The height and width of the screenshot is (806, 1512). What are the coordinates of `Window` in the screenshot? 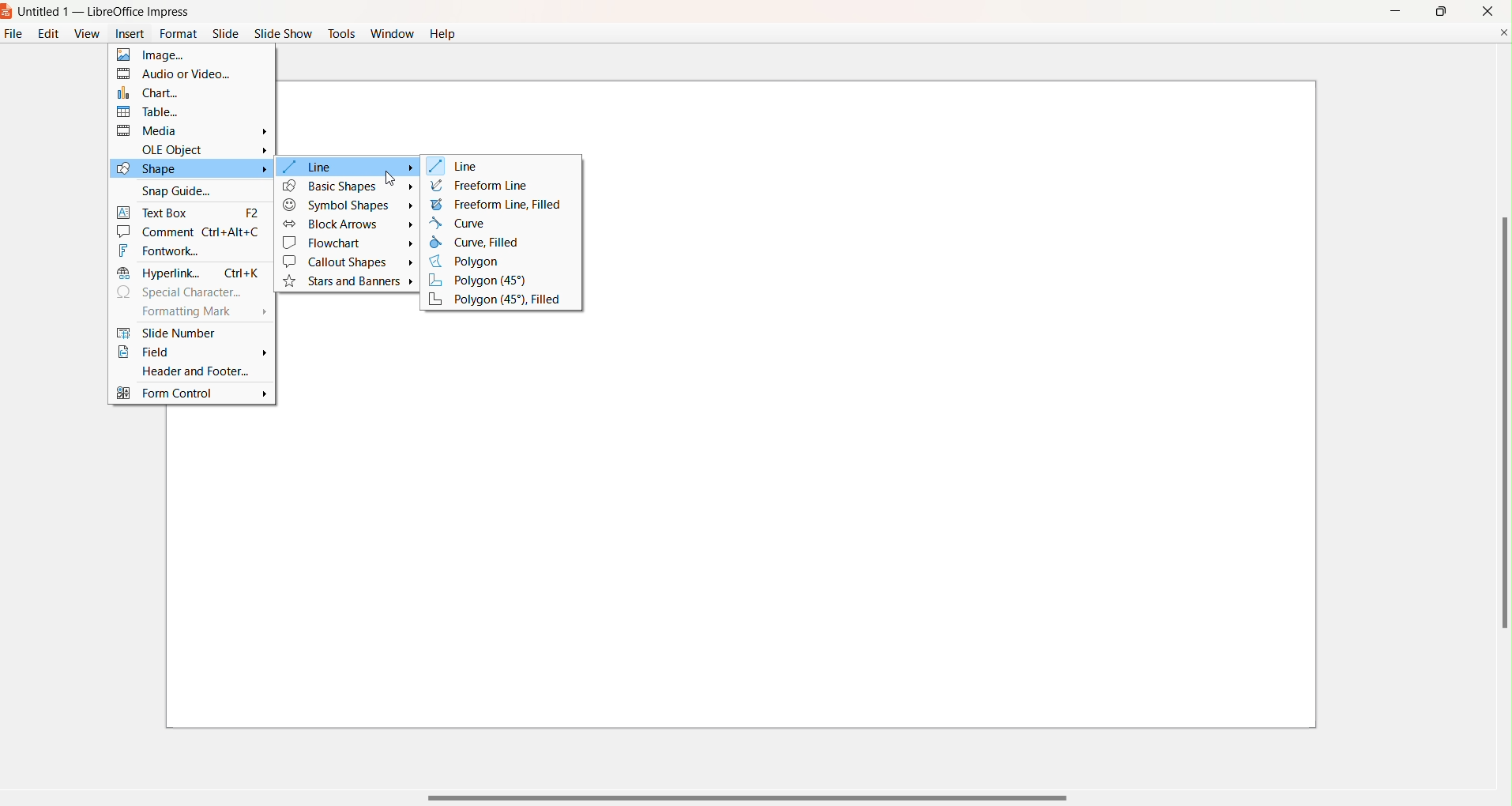 It's located at (392, 36).